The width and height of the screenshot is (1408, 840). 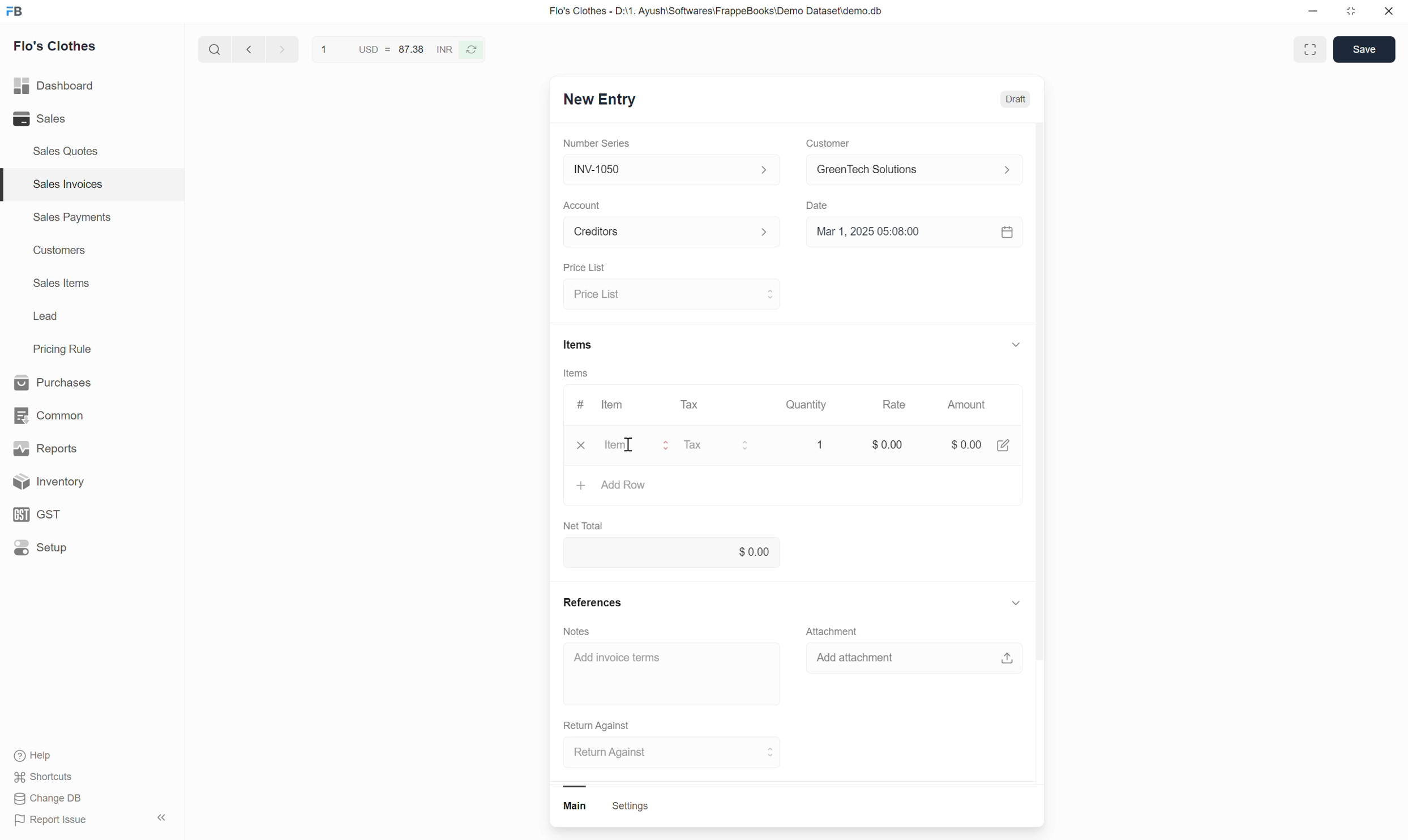 What do you see at coordinates (718, 444) in the screenshot?
I see `select tax` at bounding box center [718, 444].